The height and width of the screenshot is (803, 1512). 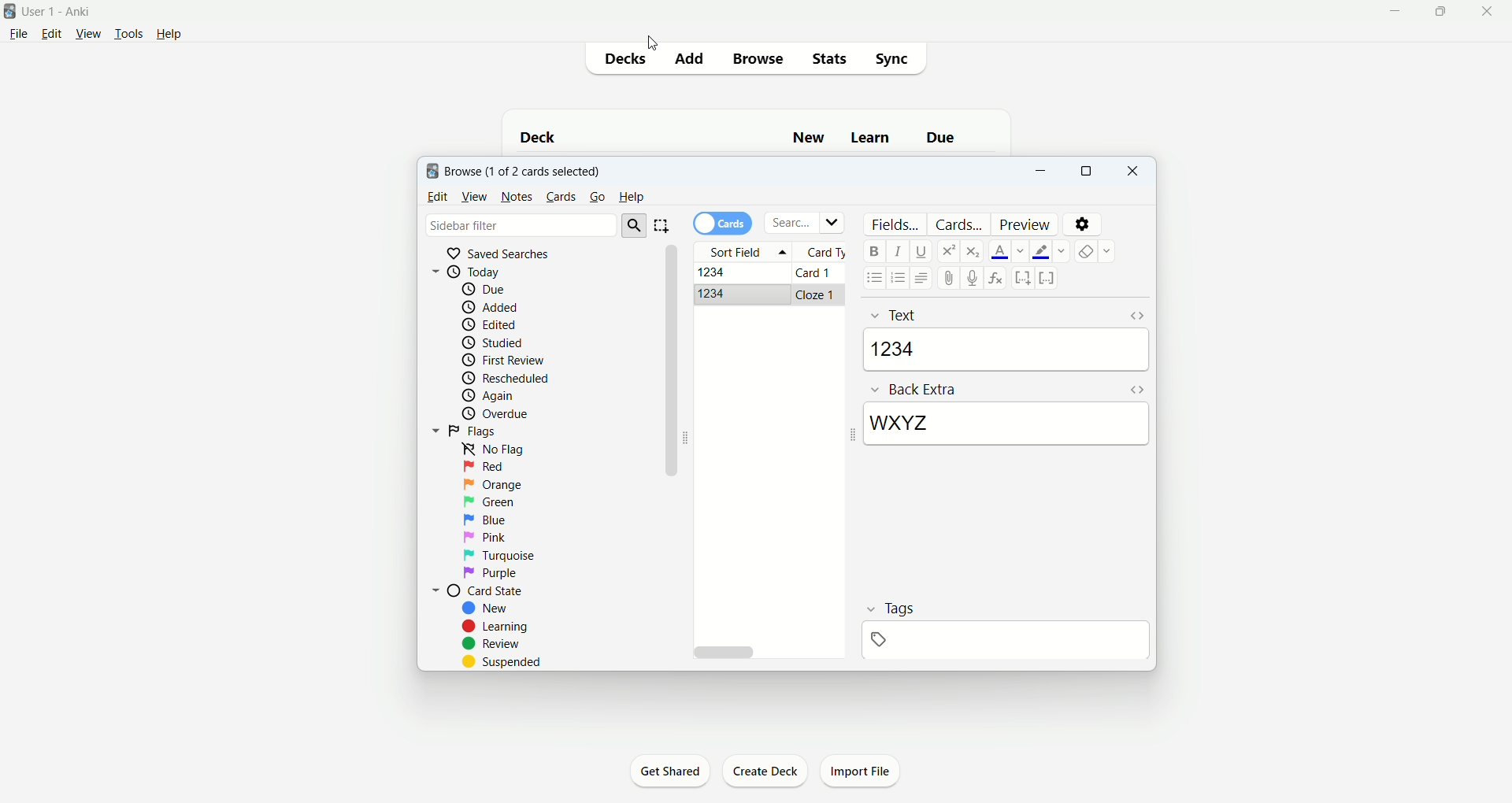 What do you see at coordinates (1003, 642) in the screenshot?
I see `blank space` at bounding box center [1003, 642].